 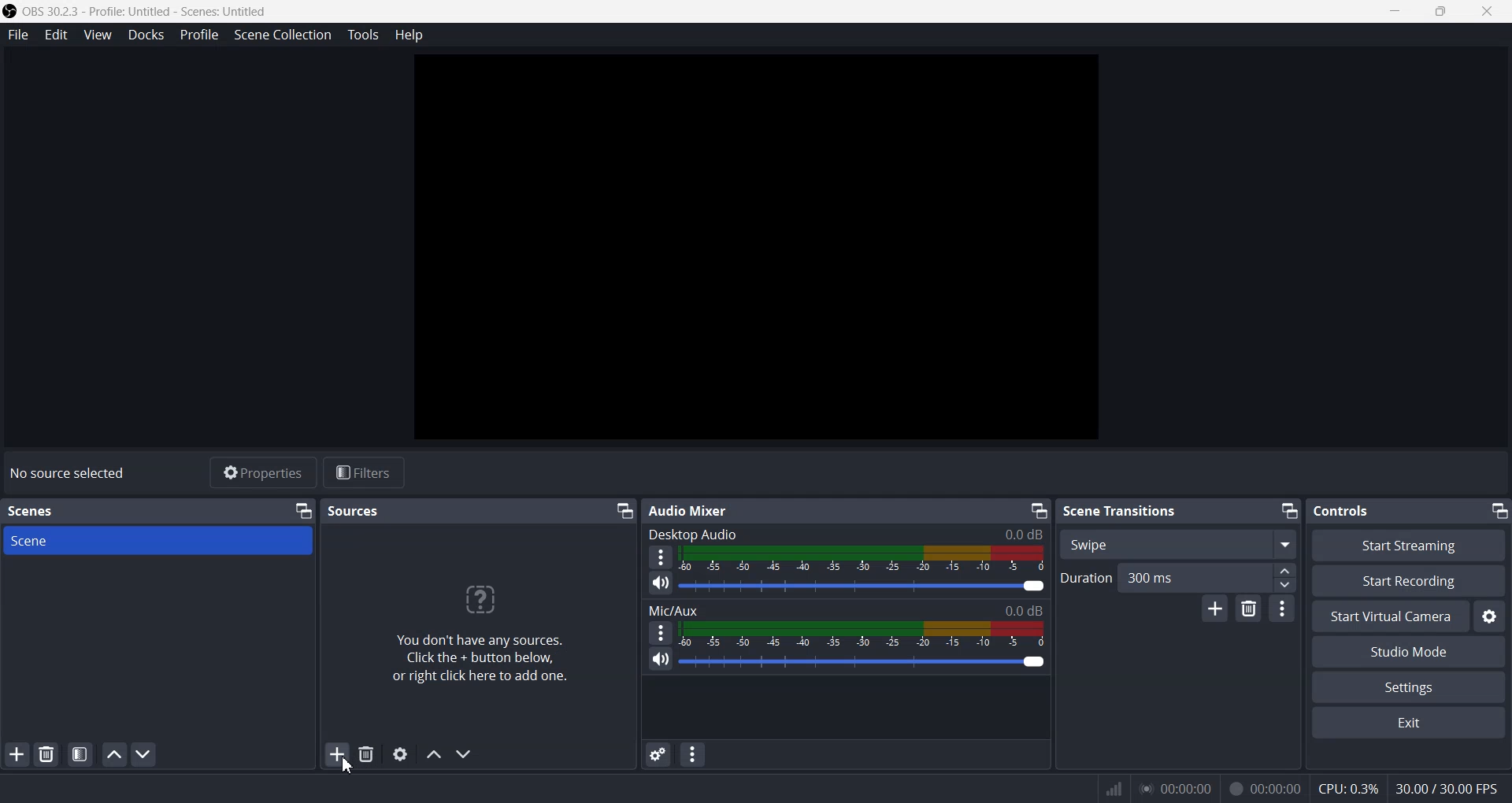 What do you see at coordinates (846, 534) in the screenshot?
I see `Desktop Audio 0.0 dB` at bounding box center [846, 534].